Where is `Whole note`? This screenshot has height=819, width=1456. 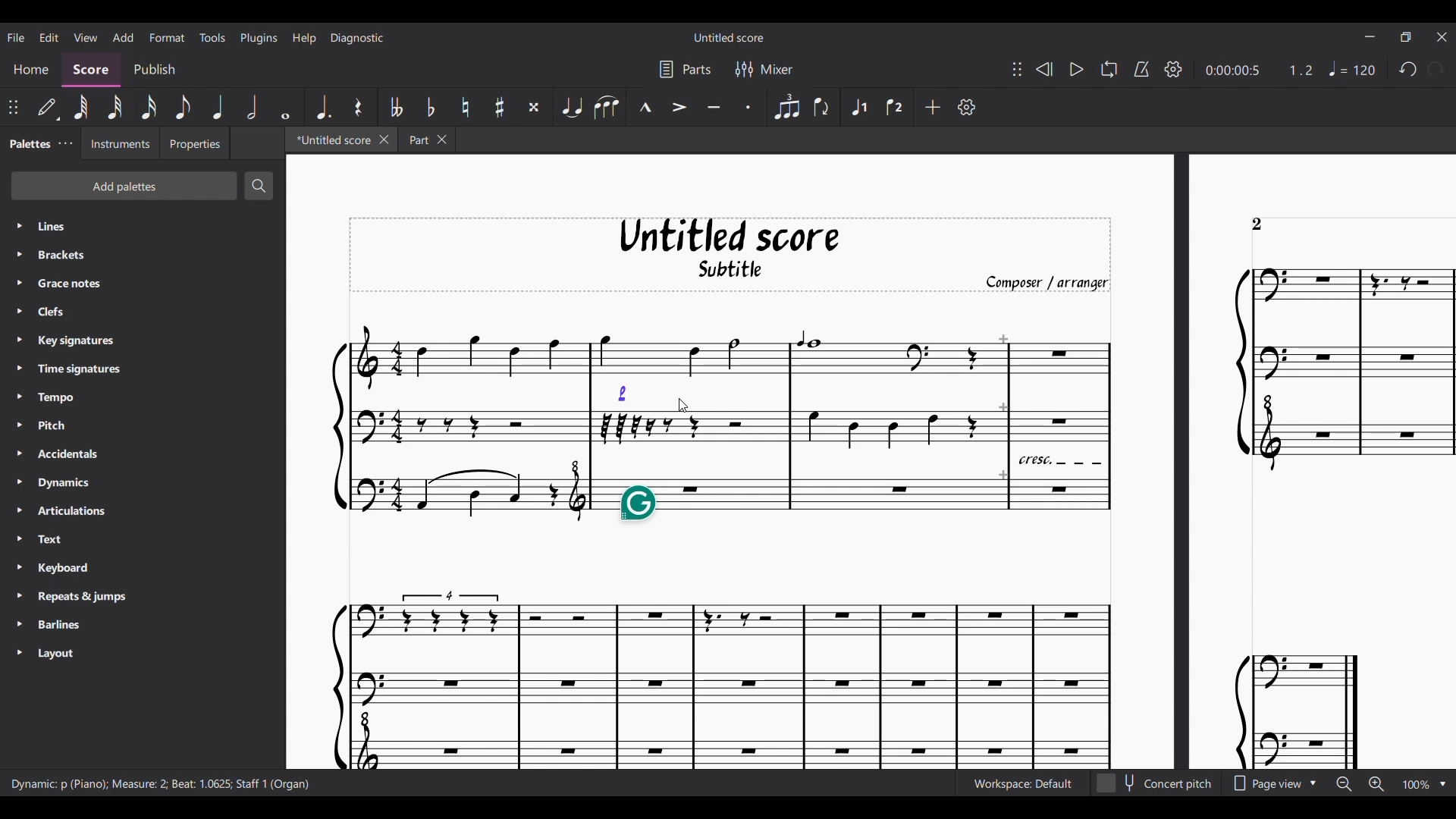
Whole note is located at coordinates (285, 106).